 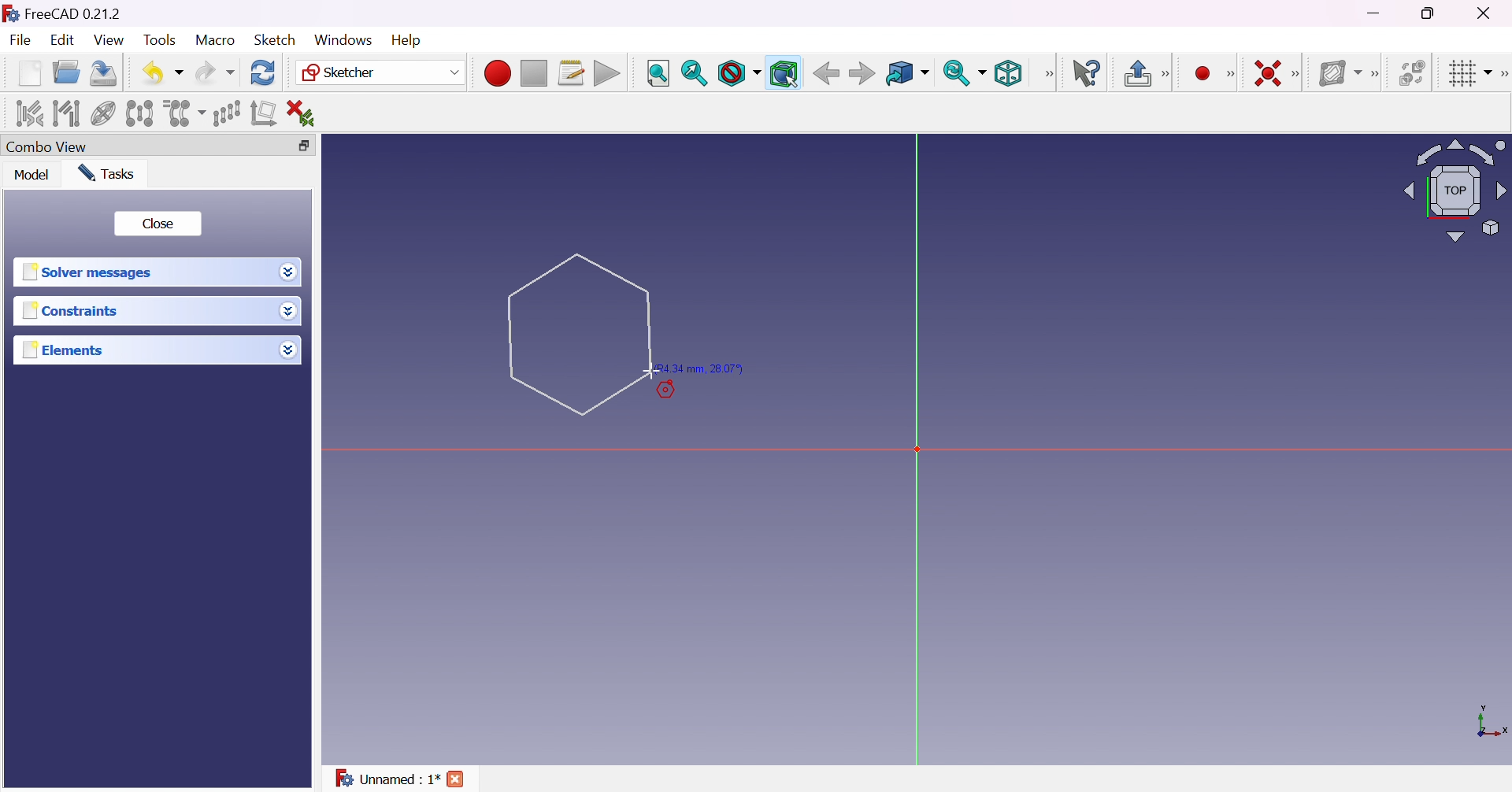 I want to click on Close, so click(x=1488, y=12).